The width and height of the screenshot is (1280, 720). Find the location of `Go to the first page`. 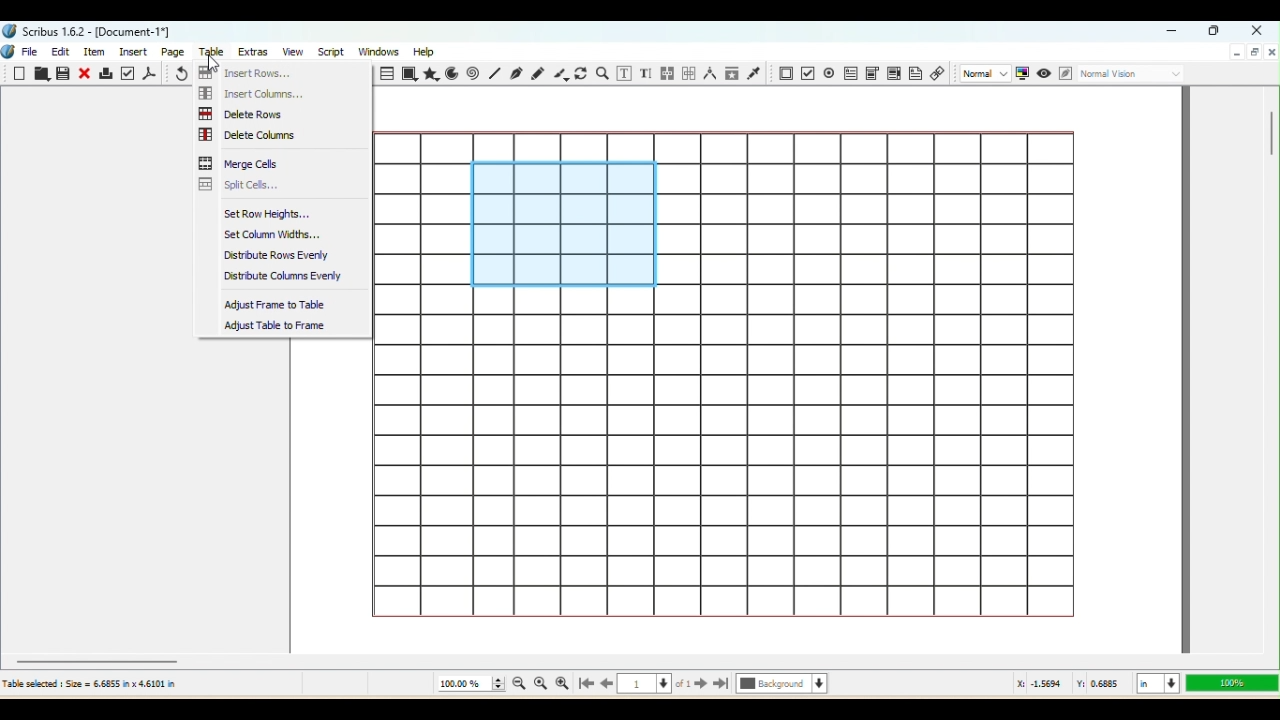

Go to the first page is located at coordinates (584, 685).